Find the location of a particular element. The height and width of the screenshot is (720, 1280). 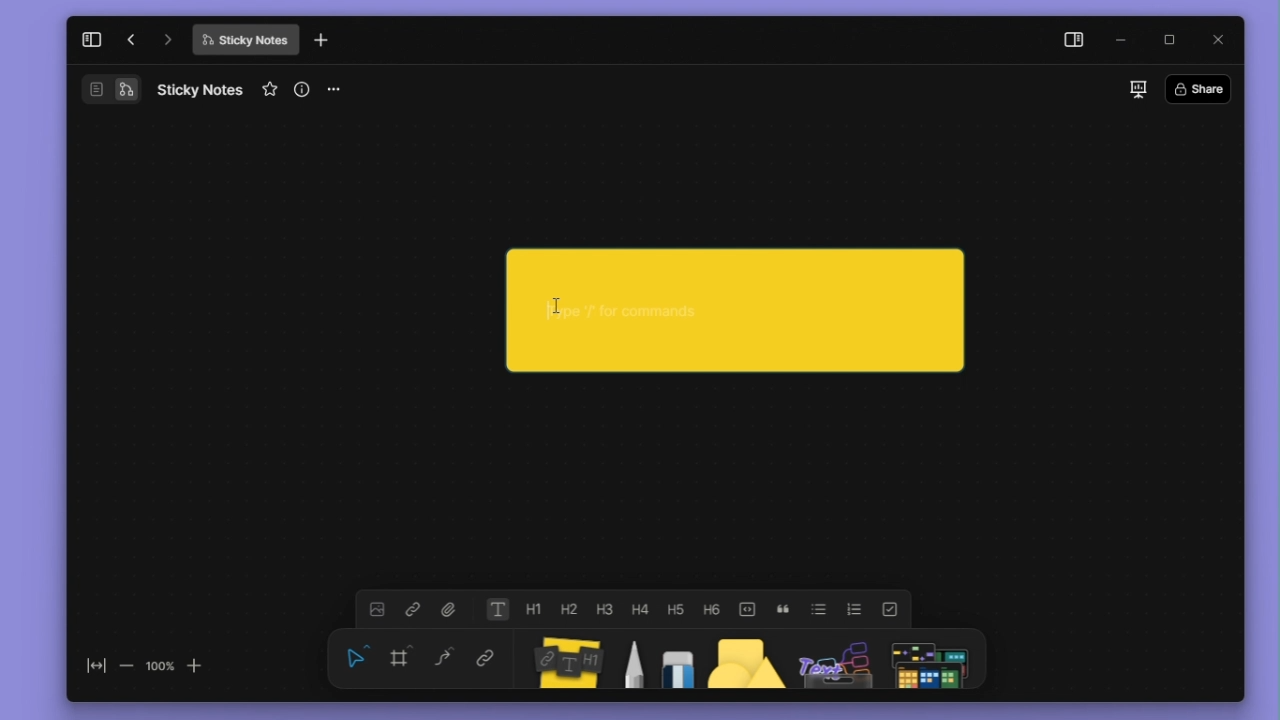

more is located at coordinates (338, 88).